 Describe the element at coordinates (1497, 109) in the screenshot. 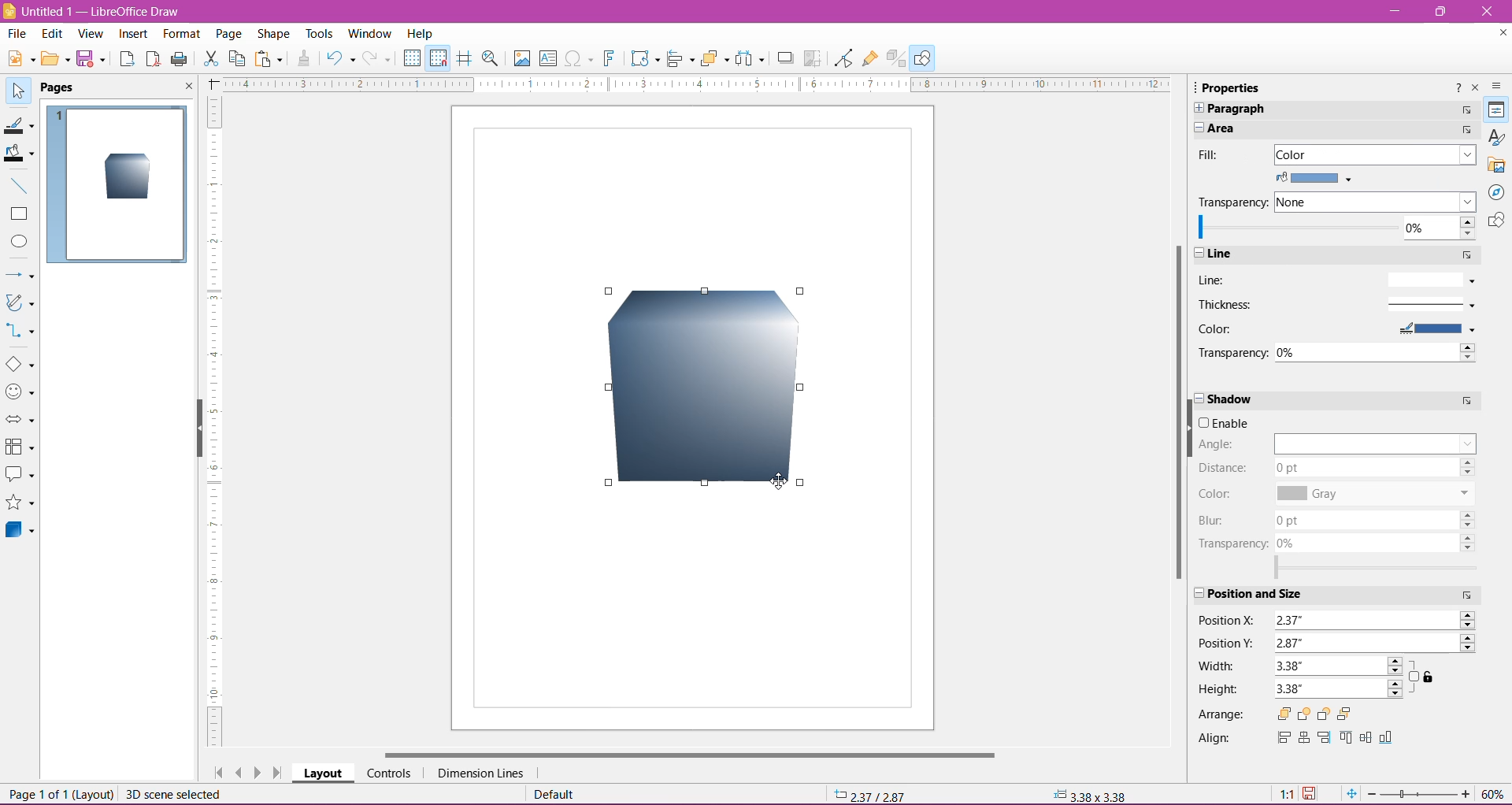

I see `Properties` at that location.